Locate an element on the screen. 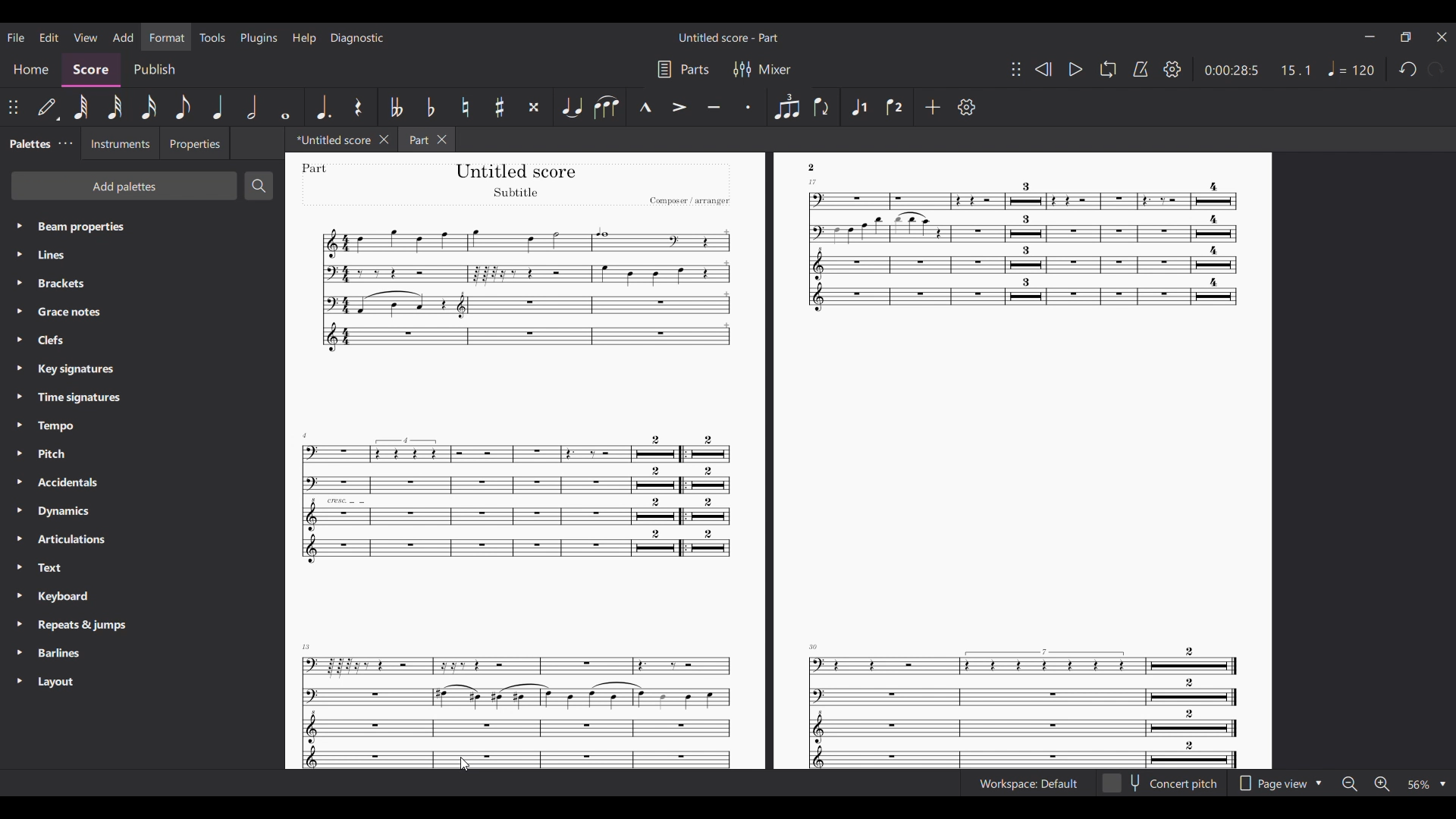 This screenshot has width=1456, height=819. Palette tab settings is located at coordinates (65, 143).